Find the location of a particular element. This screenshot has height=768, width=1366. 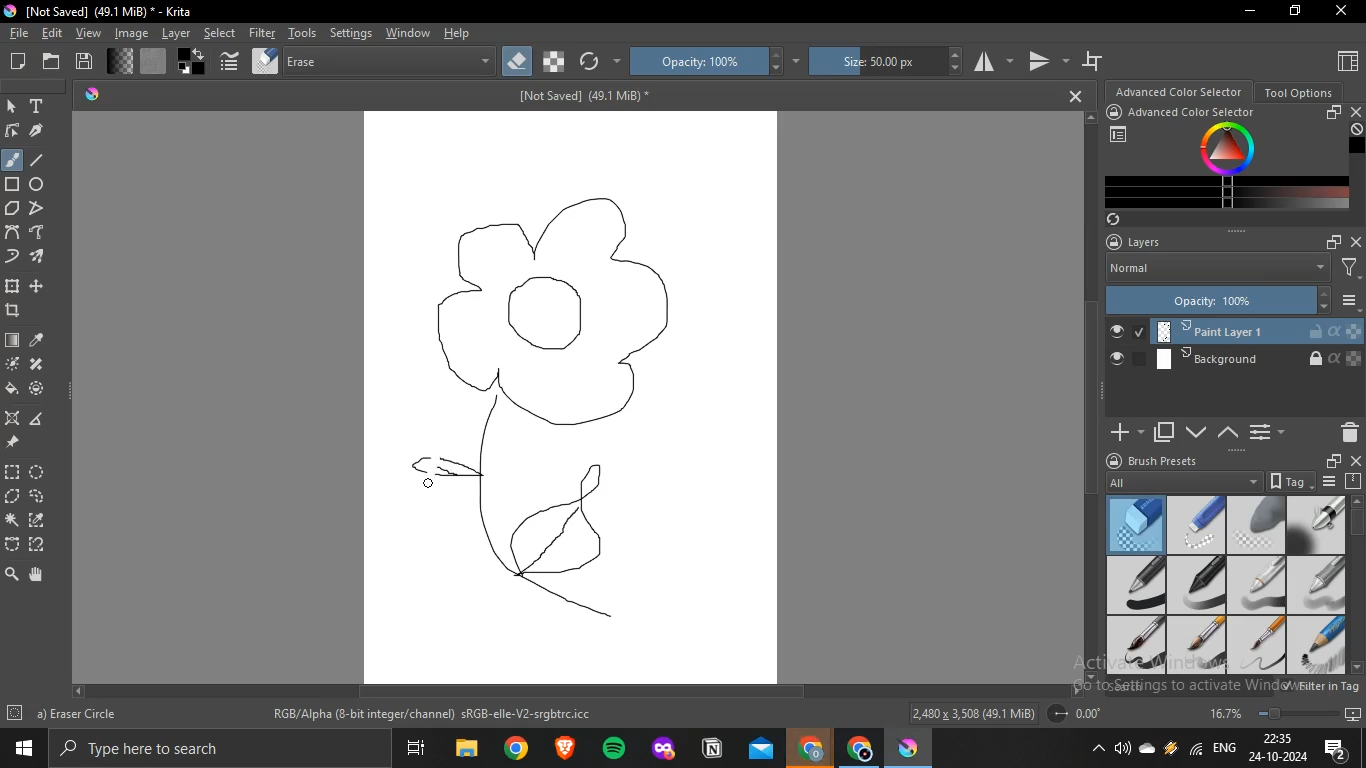

multiple brush tool is located at coordinates (38, 258).